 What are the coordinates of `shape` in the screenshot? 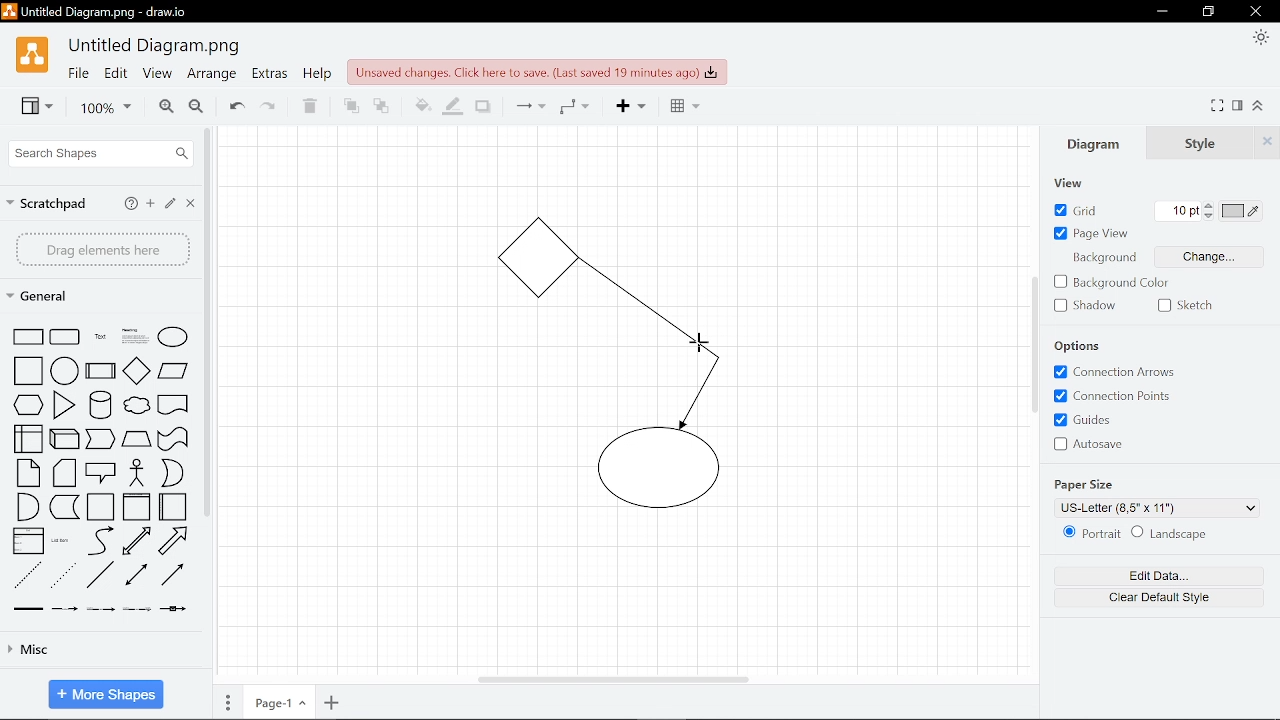 It's located at (101, 440).